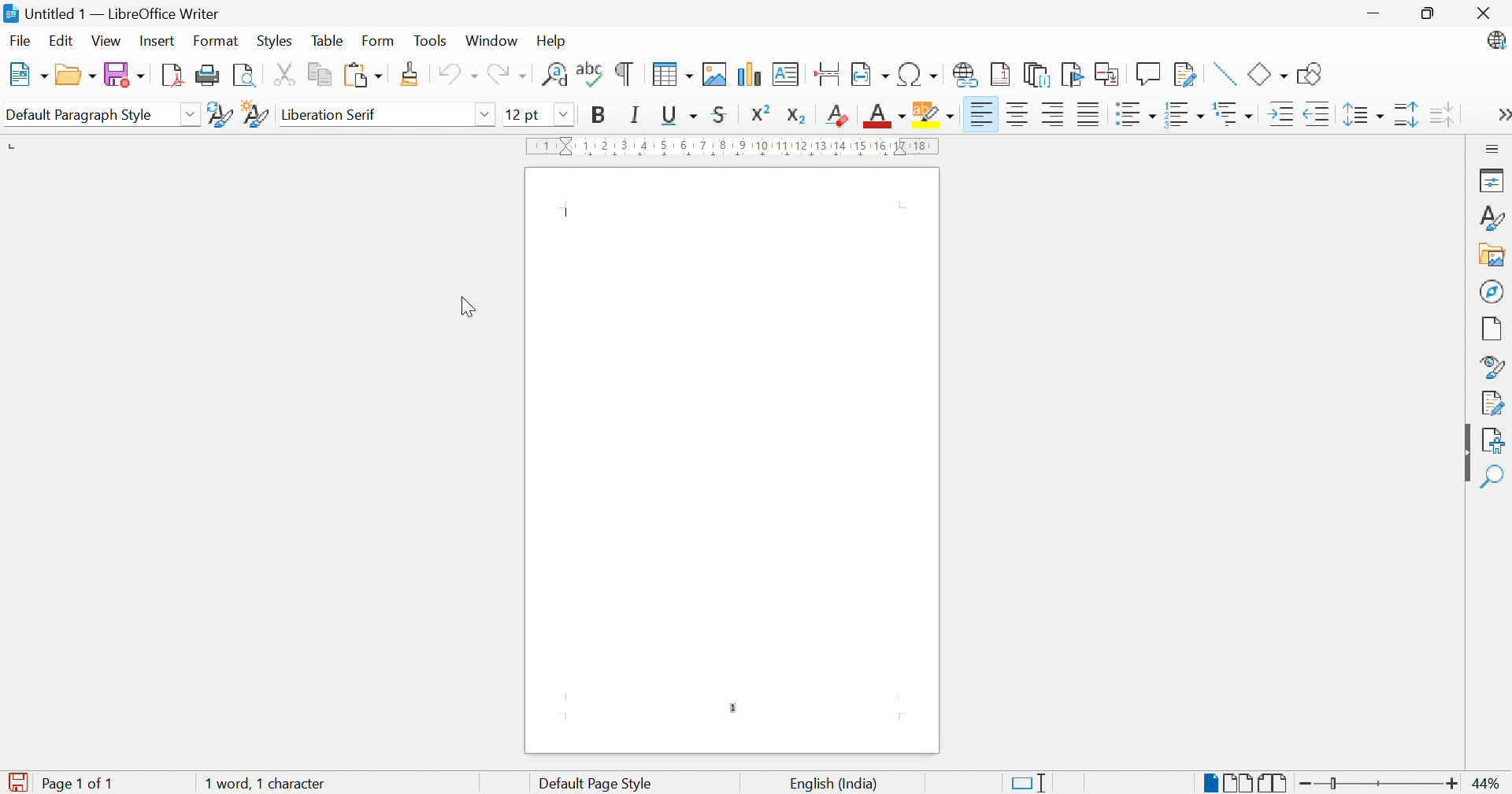 The image size is (1512, 794). I want to click on Font color, so click(886, 117).